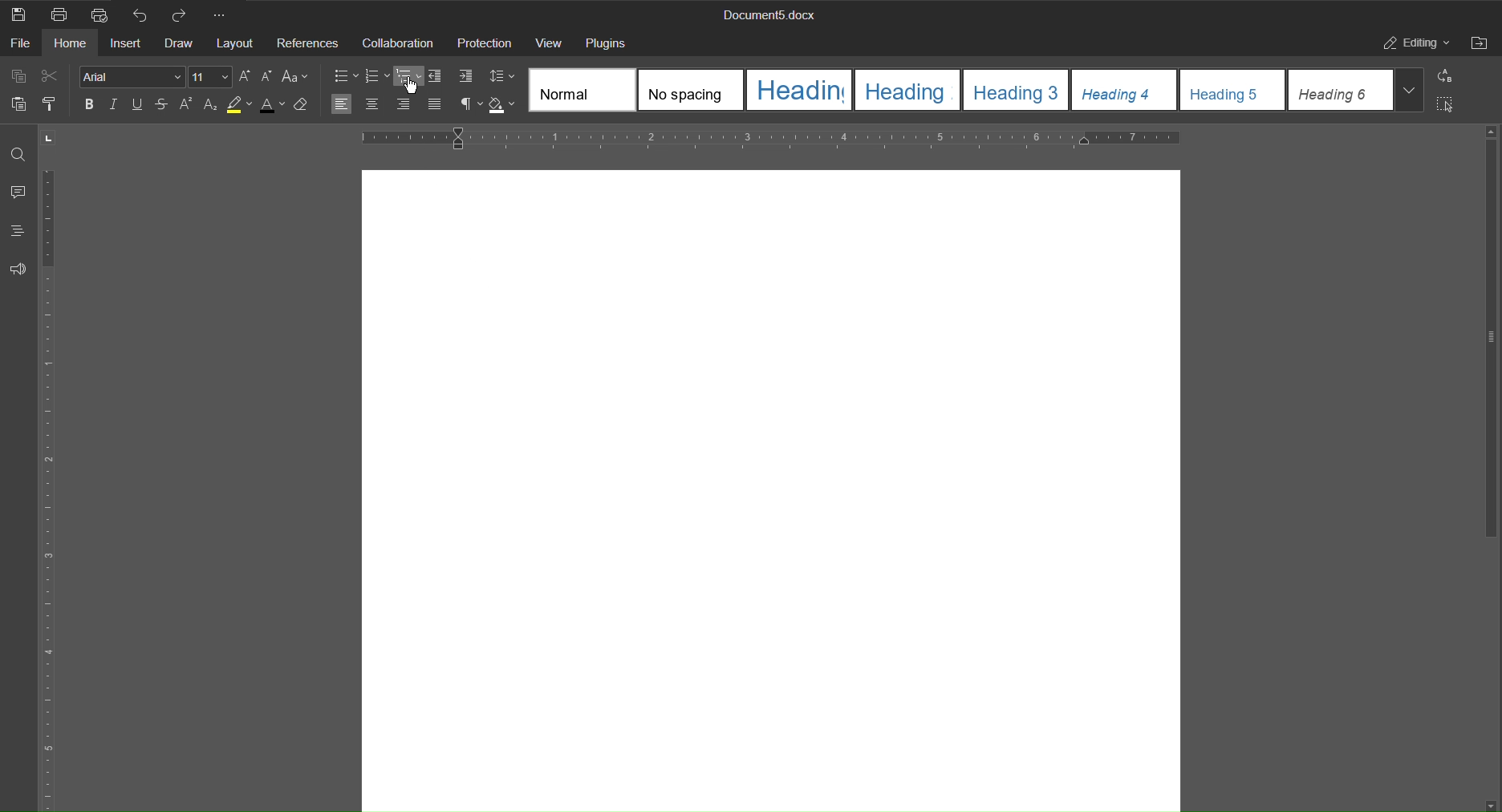 The width and height of the screenshot is (1502, 812). What do you see at coordinates (309, 44) in the screenshot?
I see `References` at bounding box center [309, 44].